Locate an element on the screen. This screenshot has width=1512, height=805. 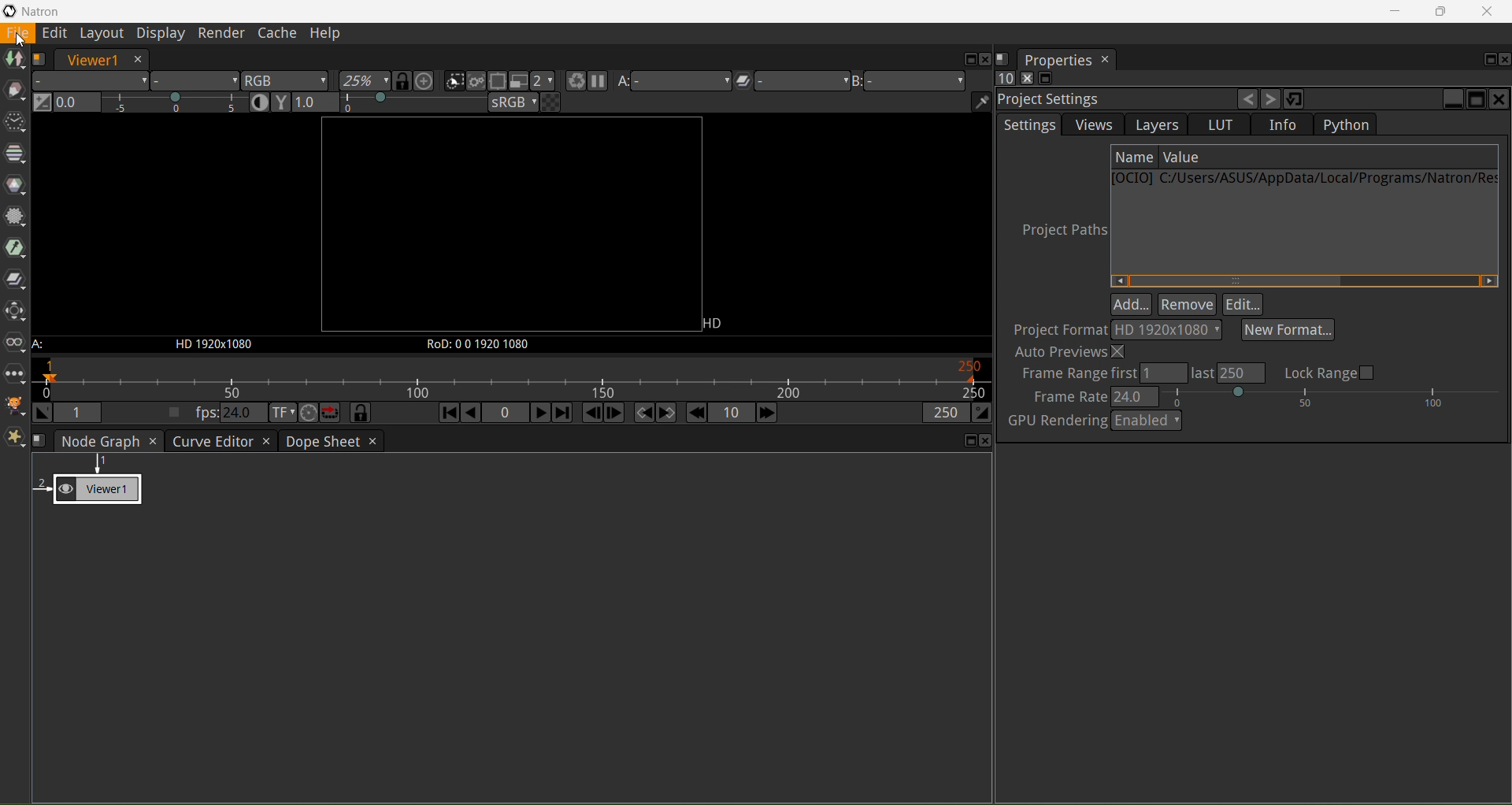
Scales the image so it doesn't exceed sixe of the viewer and centers it is located at coordinates (423, 82).